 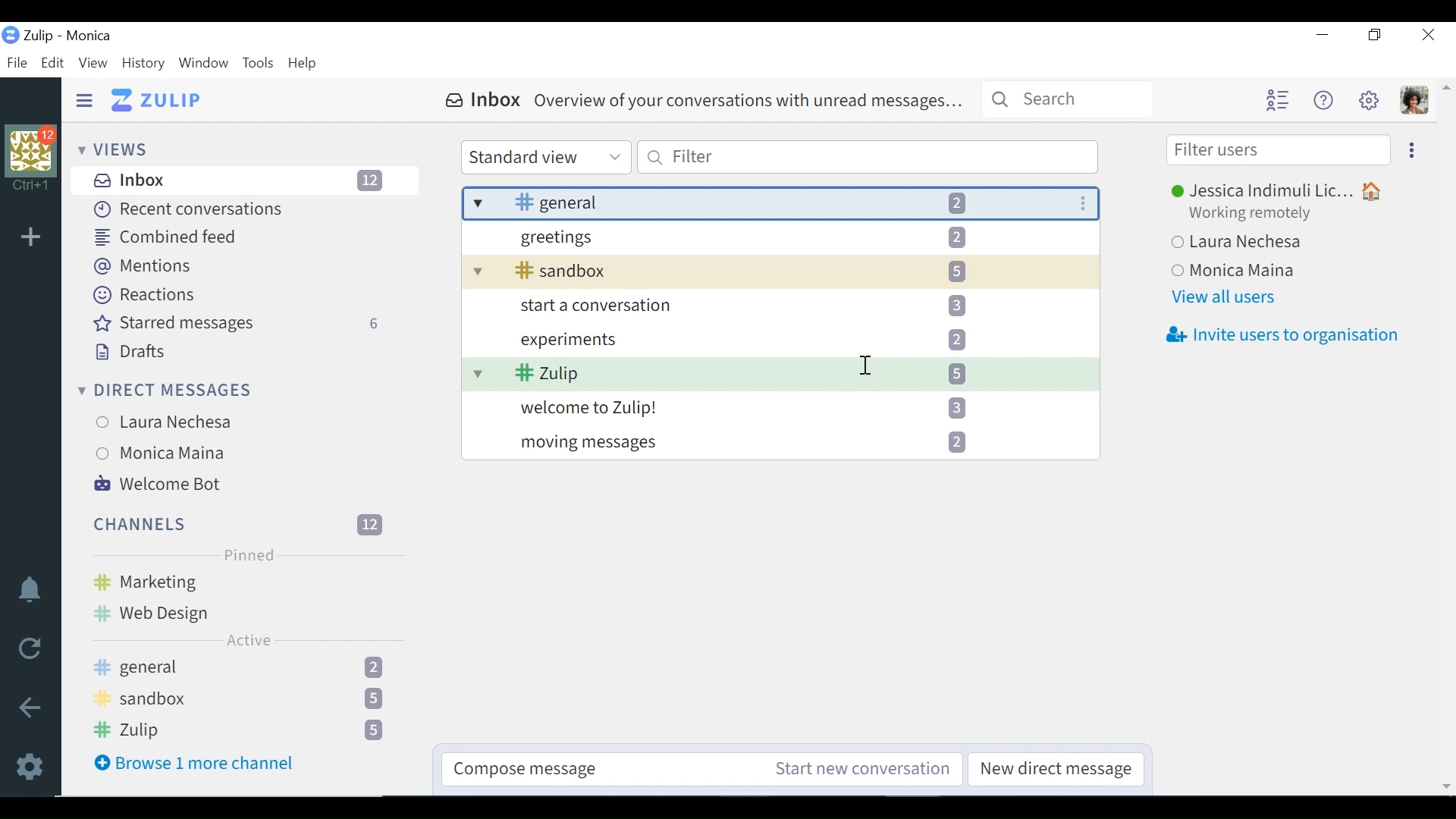 I want to click on Help, so click(x=306, y=64).